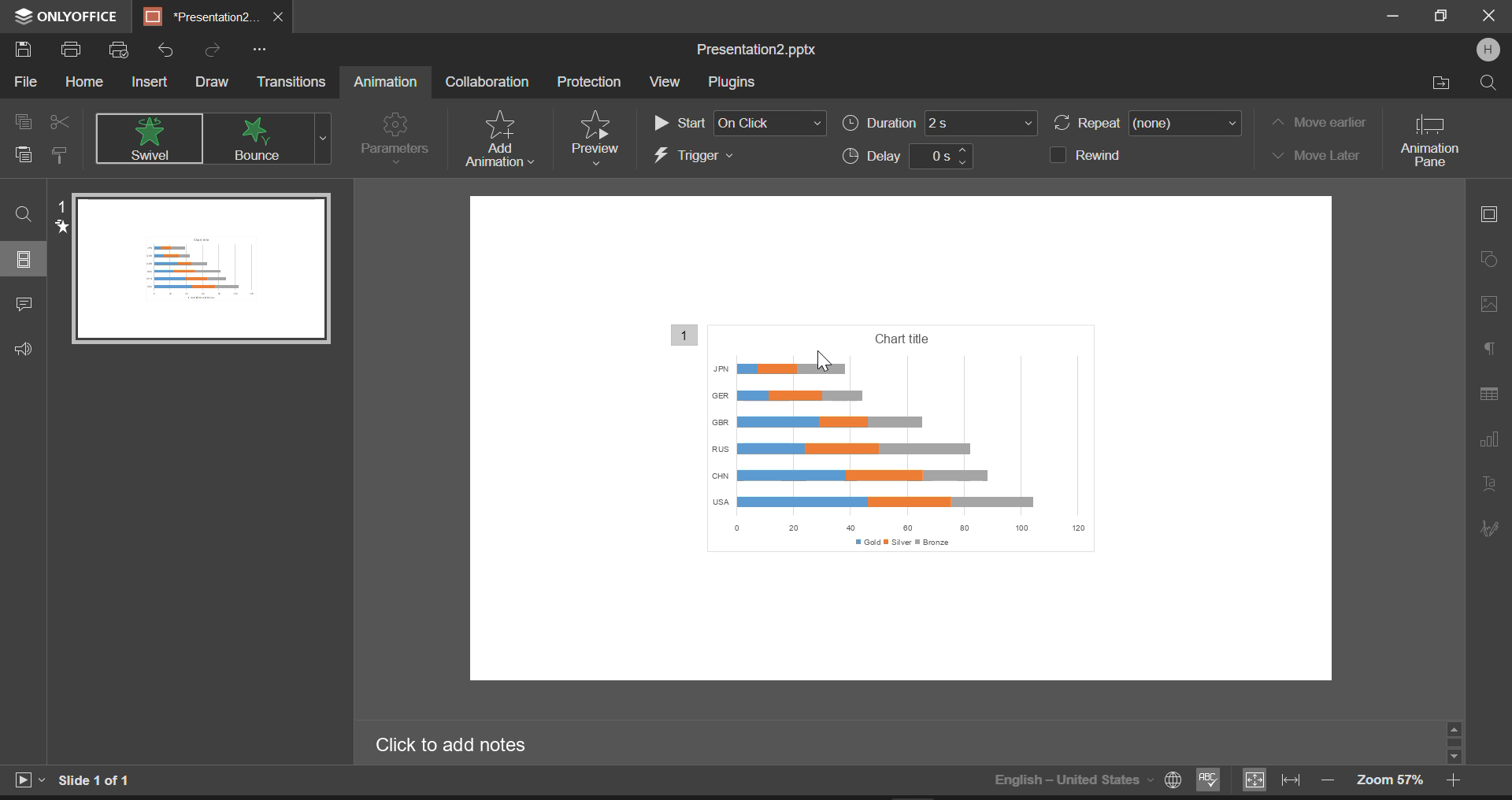 This screenshot has width=1512, height=800. What do you see at coordinates (23, 350) in the screenshot?
I see `Feedback & Support` at bounding box center [23, 350].